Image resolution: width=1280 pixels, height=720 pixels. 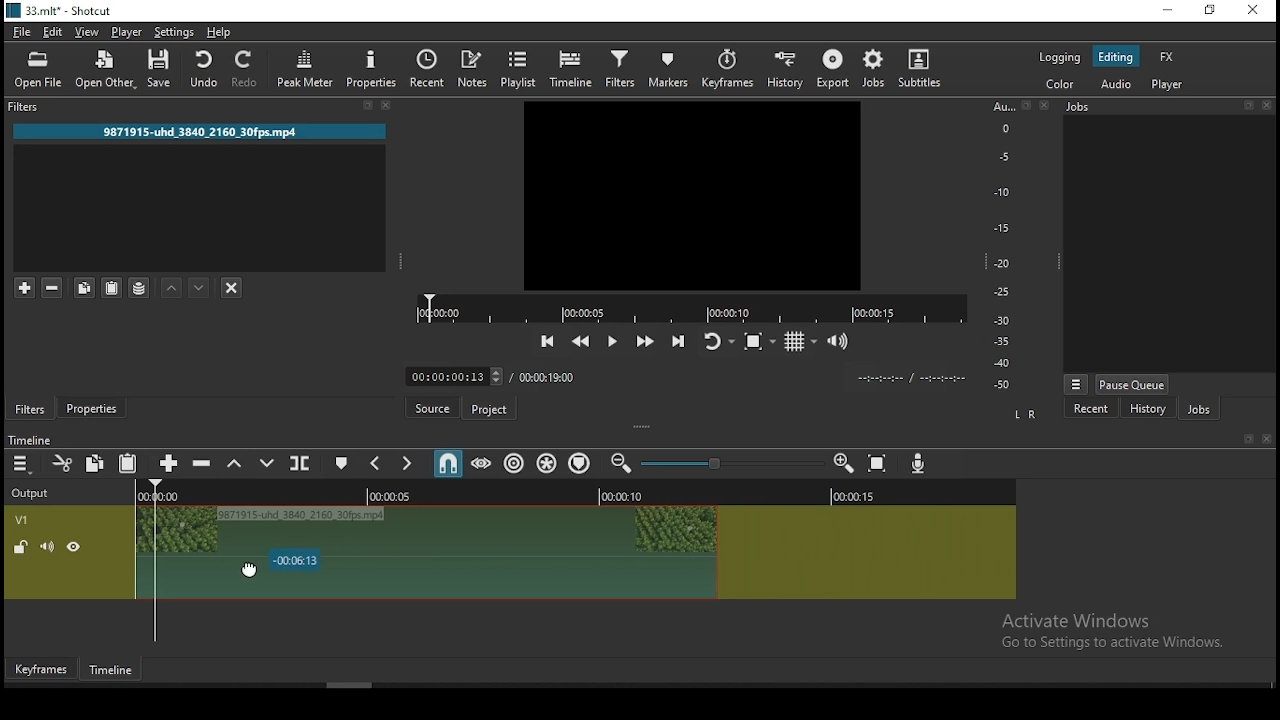 What do you see at coordinates (759, 340) in the screenshot?
I see `toggle zoom` at bounding box center [759, 340].